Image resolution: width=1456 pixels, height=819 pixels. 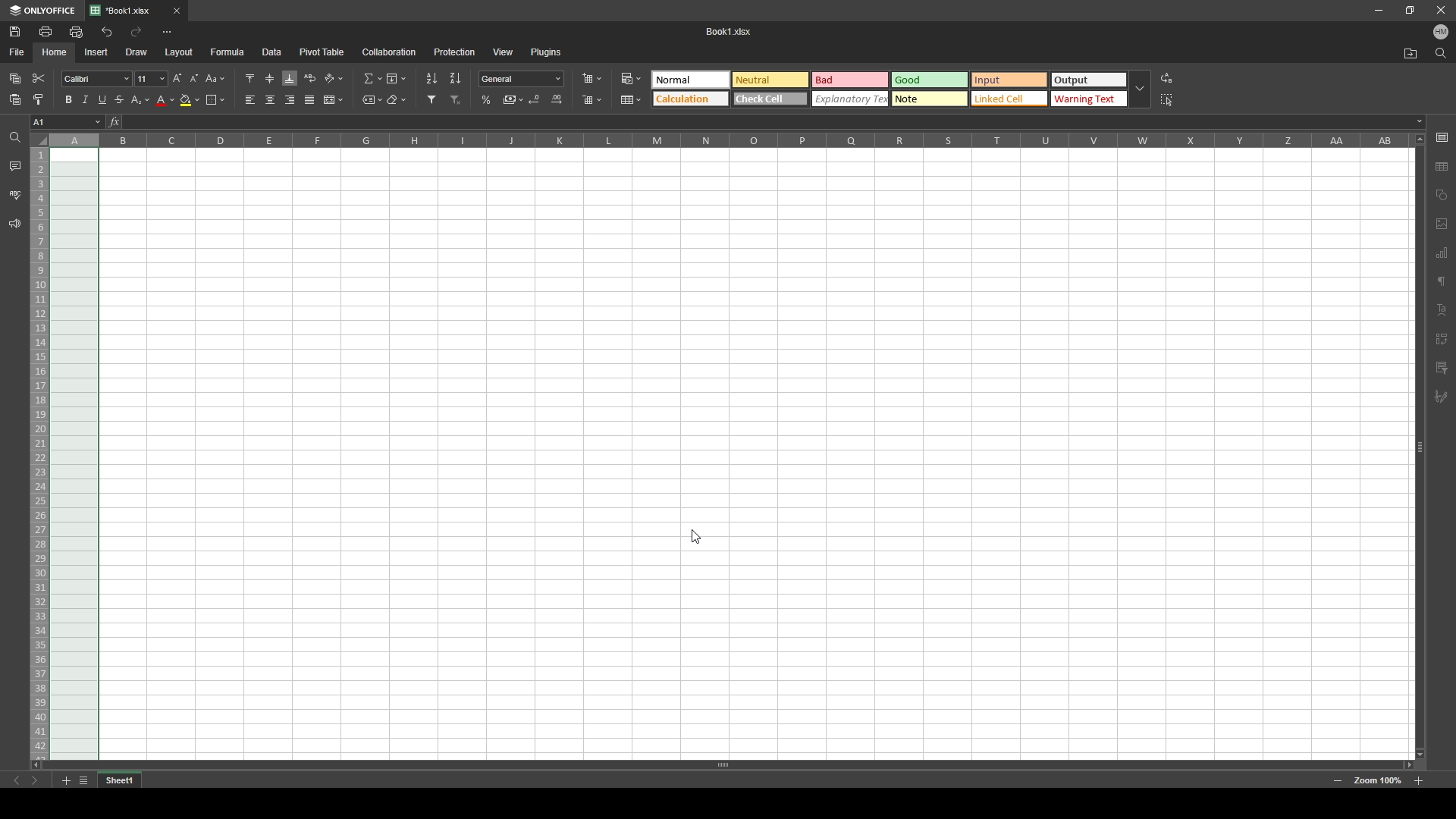 I want to click on cut, so click(x=39, y=79).